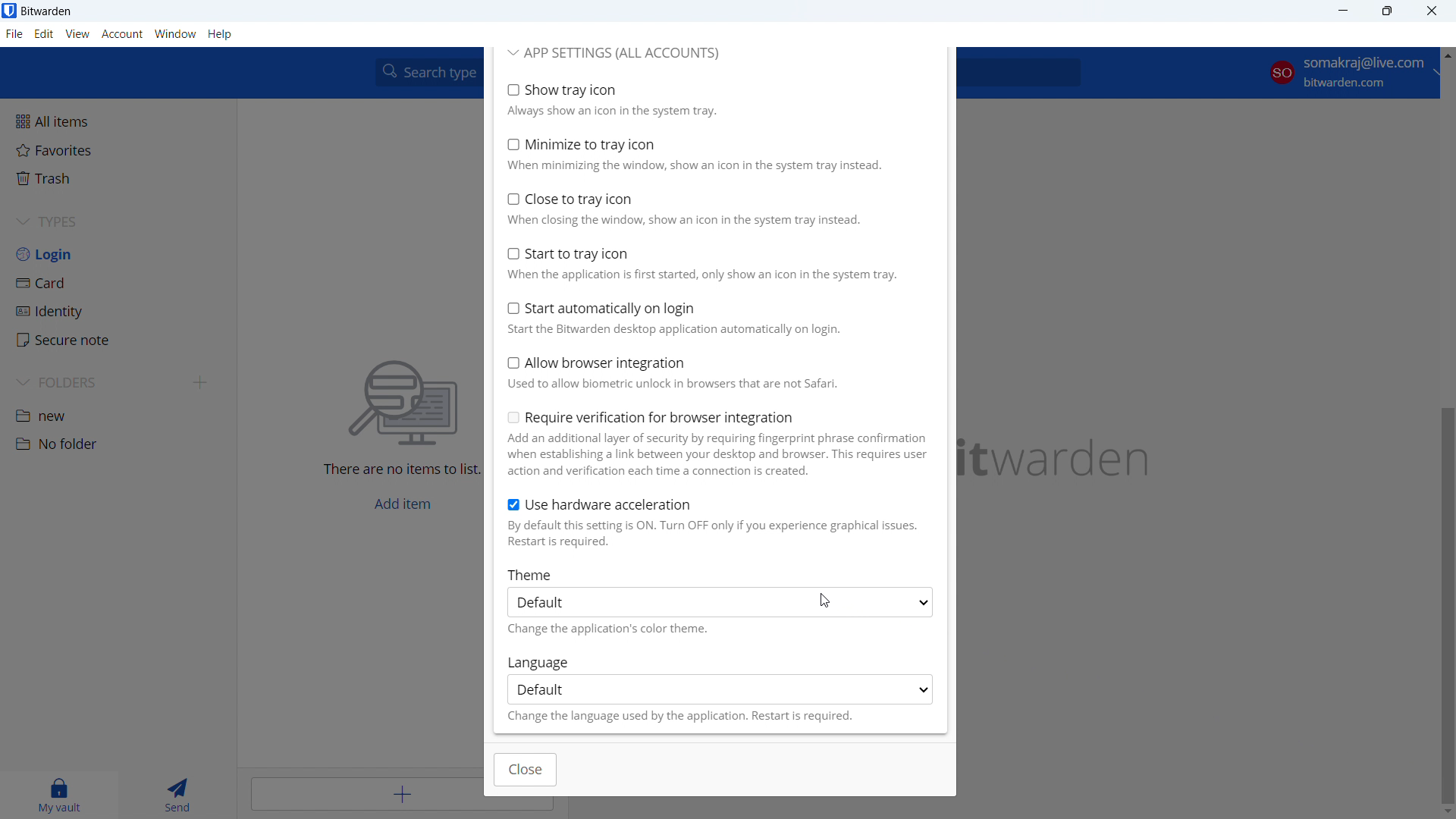  I want to click on send, so click(174, 795).